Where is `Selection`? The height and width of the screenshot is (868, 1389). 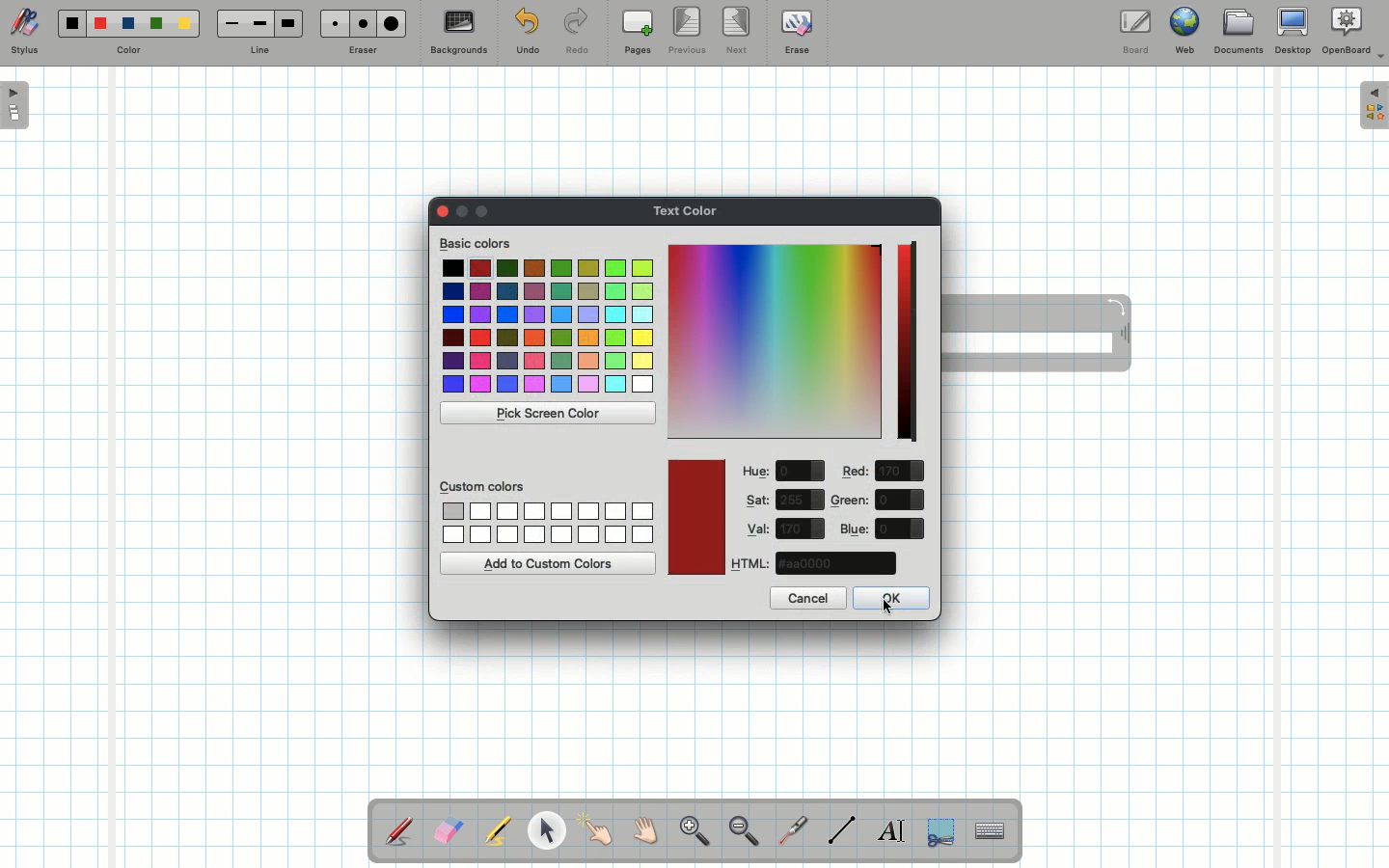
Selection is located at coordinates (939, 829).